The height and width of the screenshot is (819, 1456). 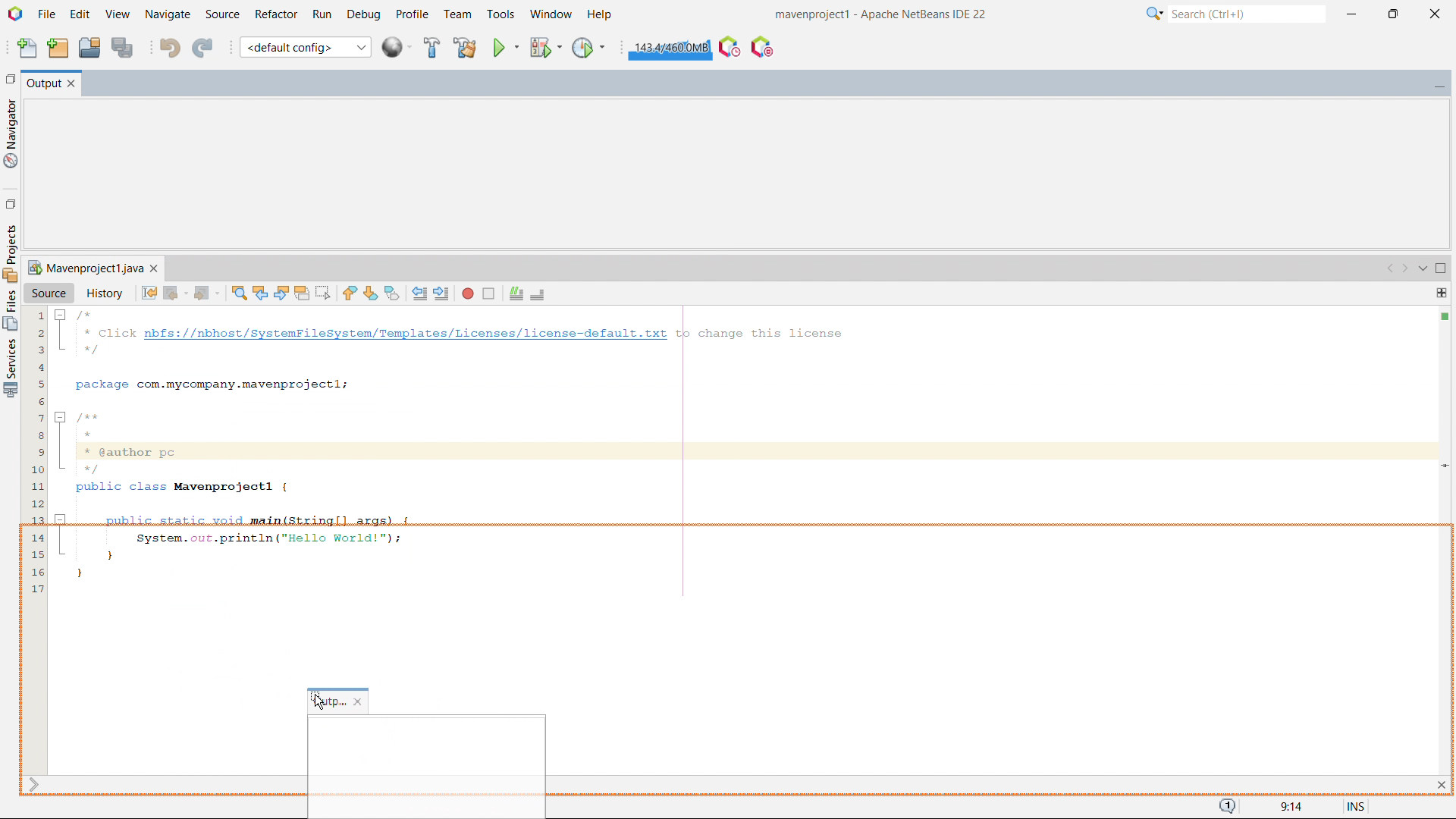 What do you see at coordinates (468, 293) in the screenshot?
I see `start macro recording ` at bounding box center [468, 293].